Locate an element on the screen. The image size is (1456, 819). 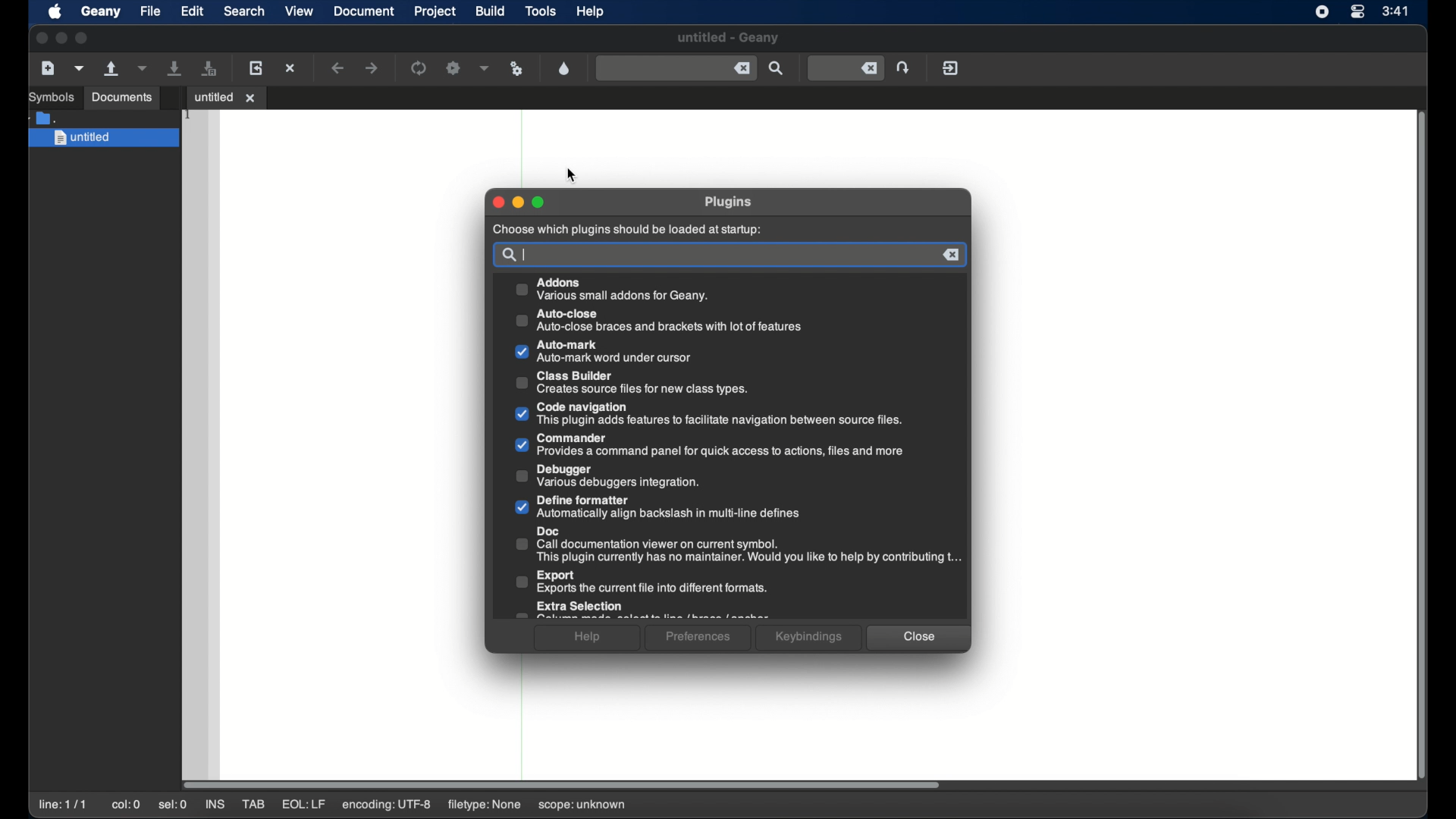
open a recent file is located at coordinates (144, 69).